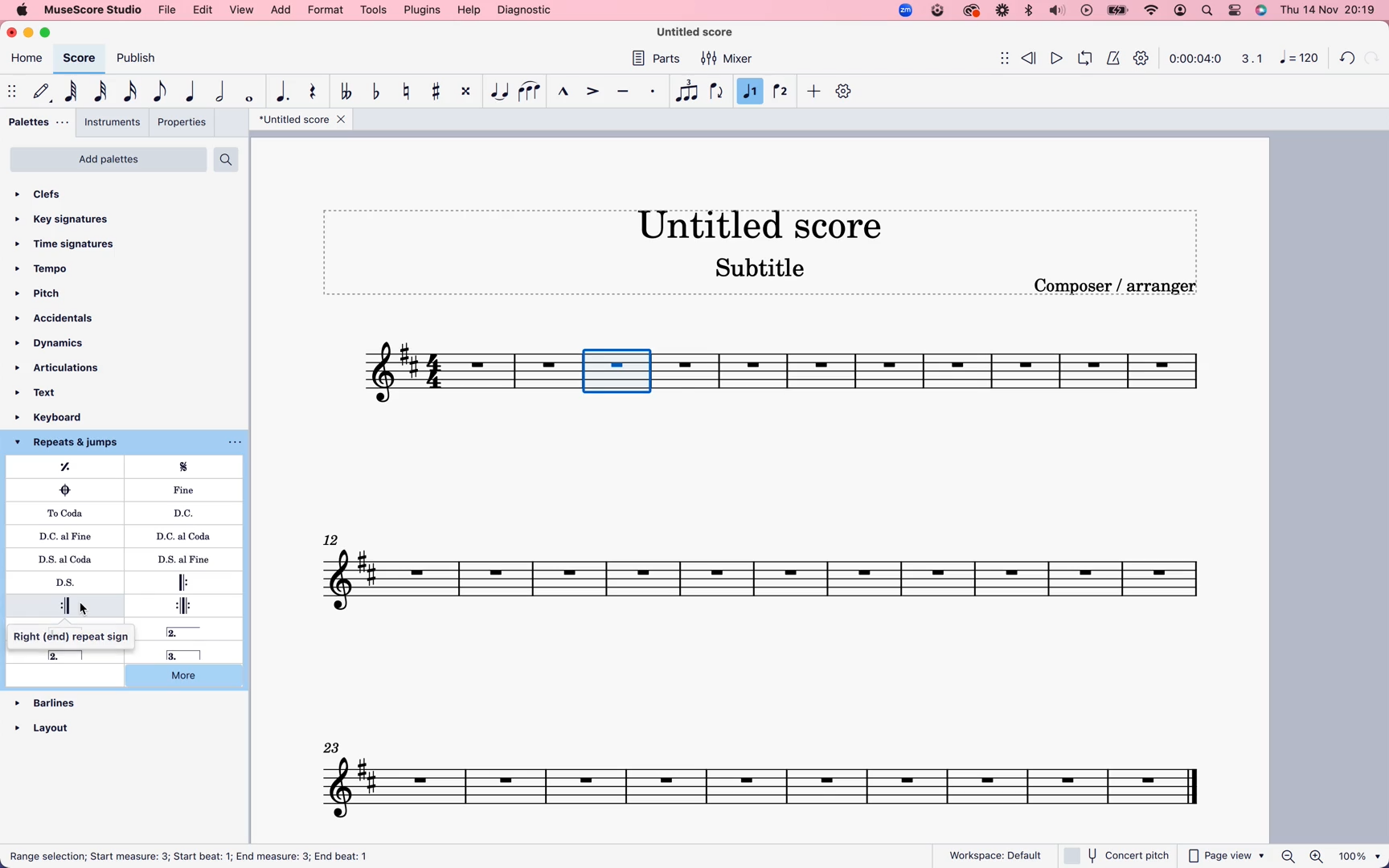 This screenshot has height=868, width=1389. I want to click on plugins, so click(422, 10).